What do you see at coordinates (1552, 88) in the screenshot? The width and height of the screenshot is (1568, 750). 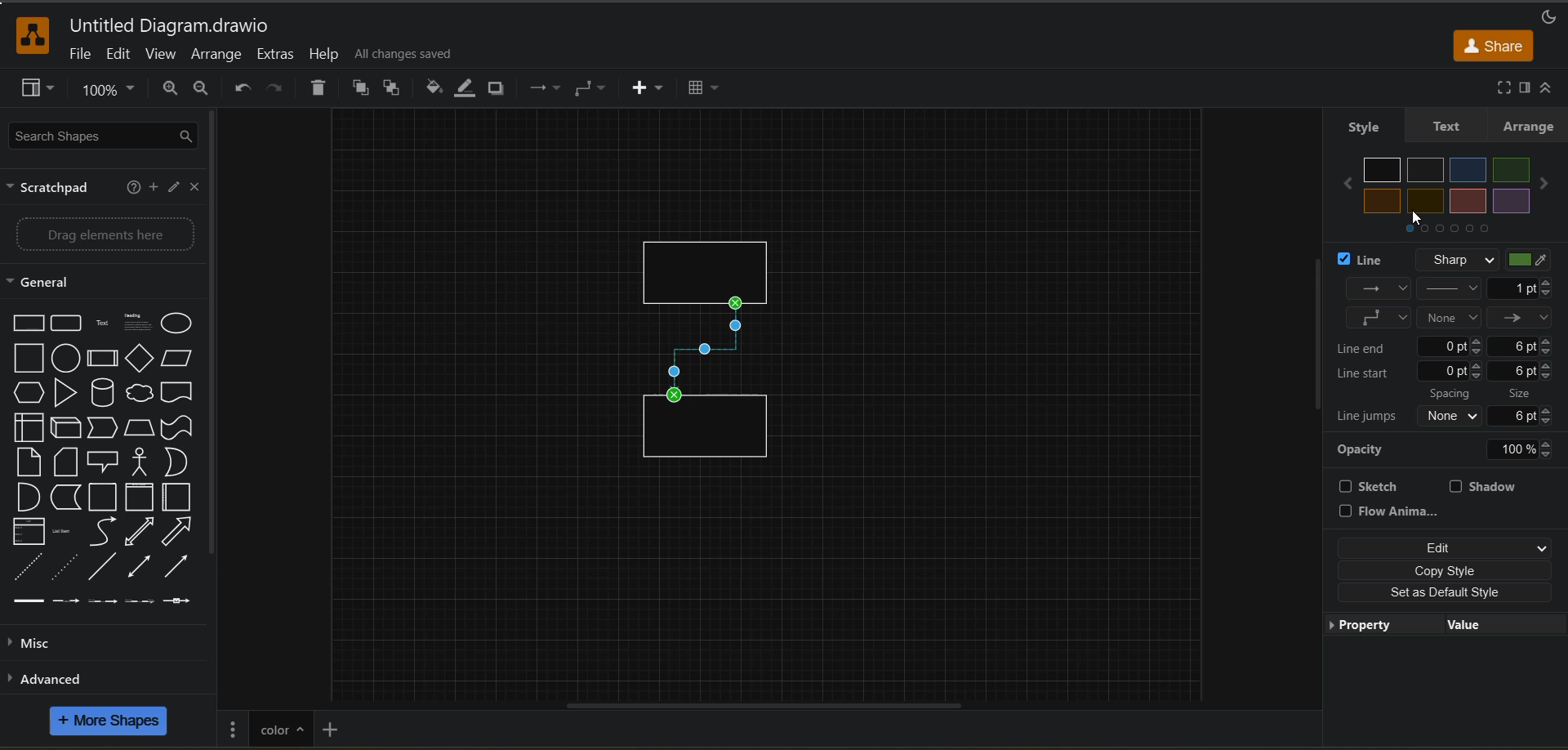 I see `collapse/expand` at bounding box center [1552, 88].